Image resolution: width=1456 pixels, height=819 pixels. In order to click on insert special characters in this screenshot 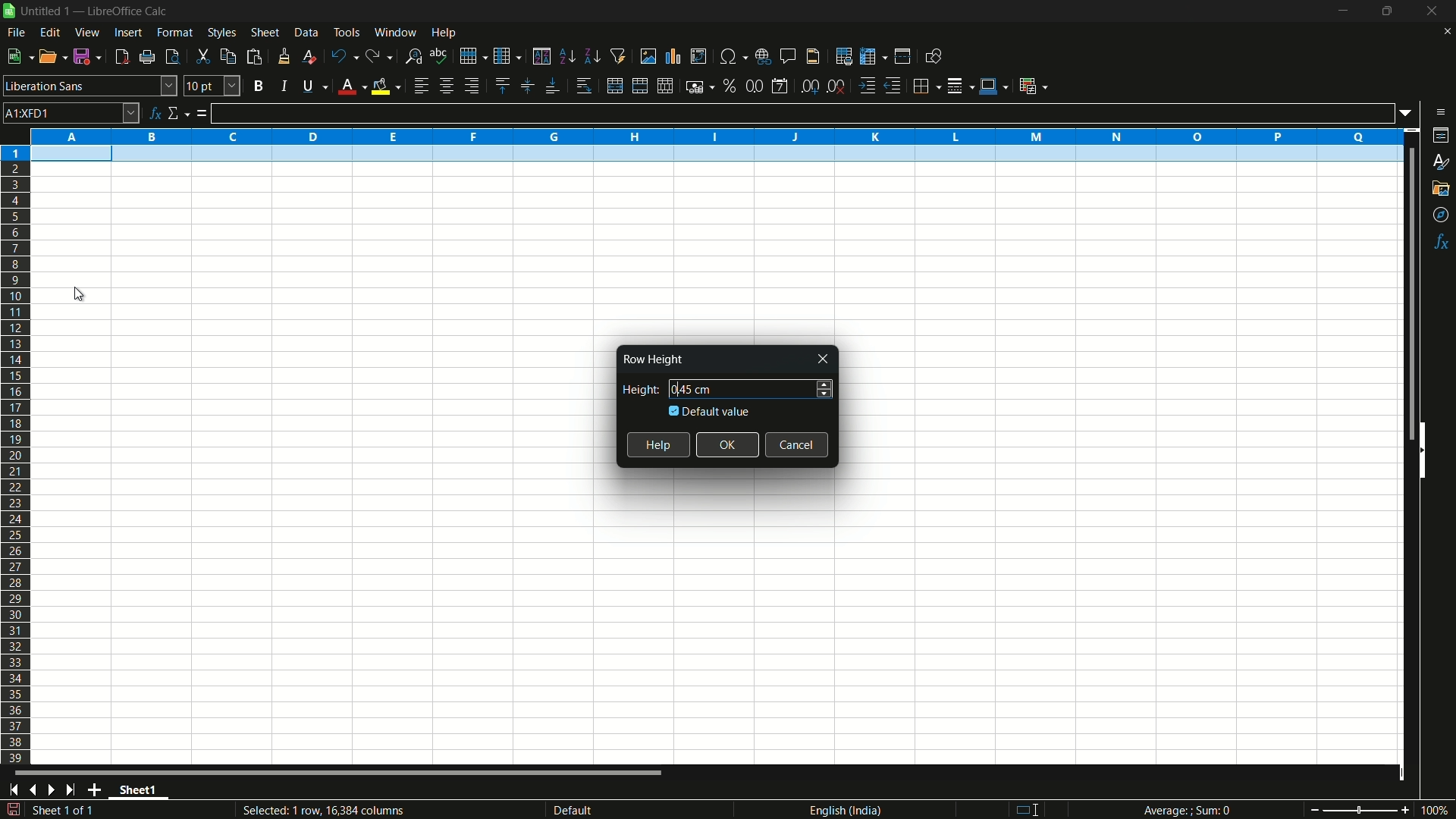, I will do `click(733, 55)`.